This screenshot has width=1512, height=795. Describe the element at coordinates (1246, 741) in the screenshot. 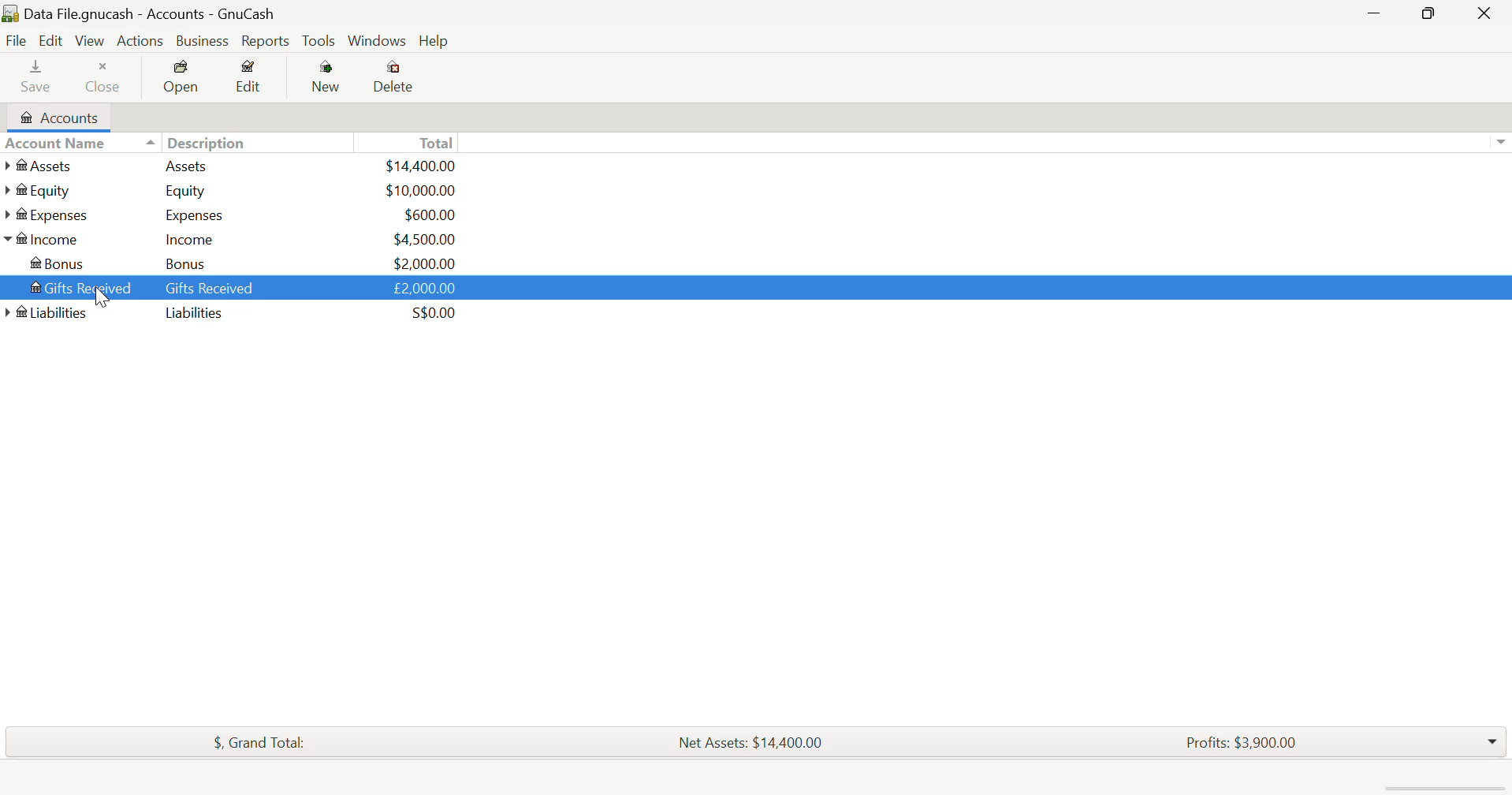

I see `Profits` at that location.